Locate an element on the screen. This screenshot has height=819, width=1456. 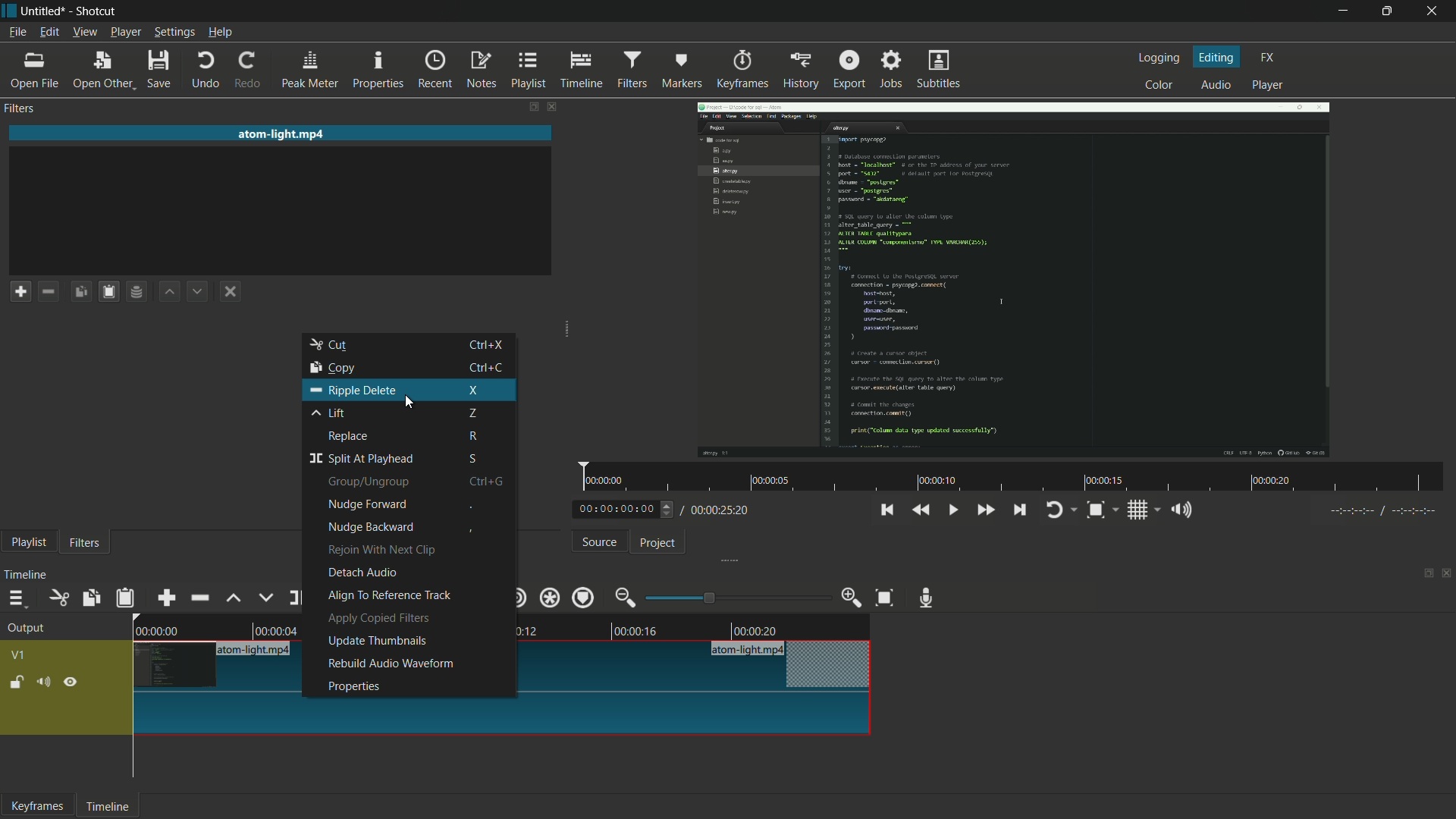
total time is located at coordinates (717, 511).